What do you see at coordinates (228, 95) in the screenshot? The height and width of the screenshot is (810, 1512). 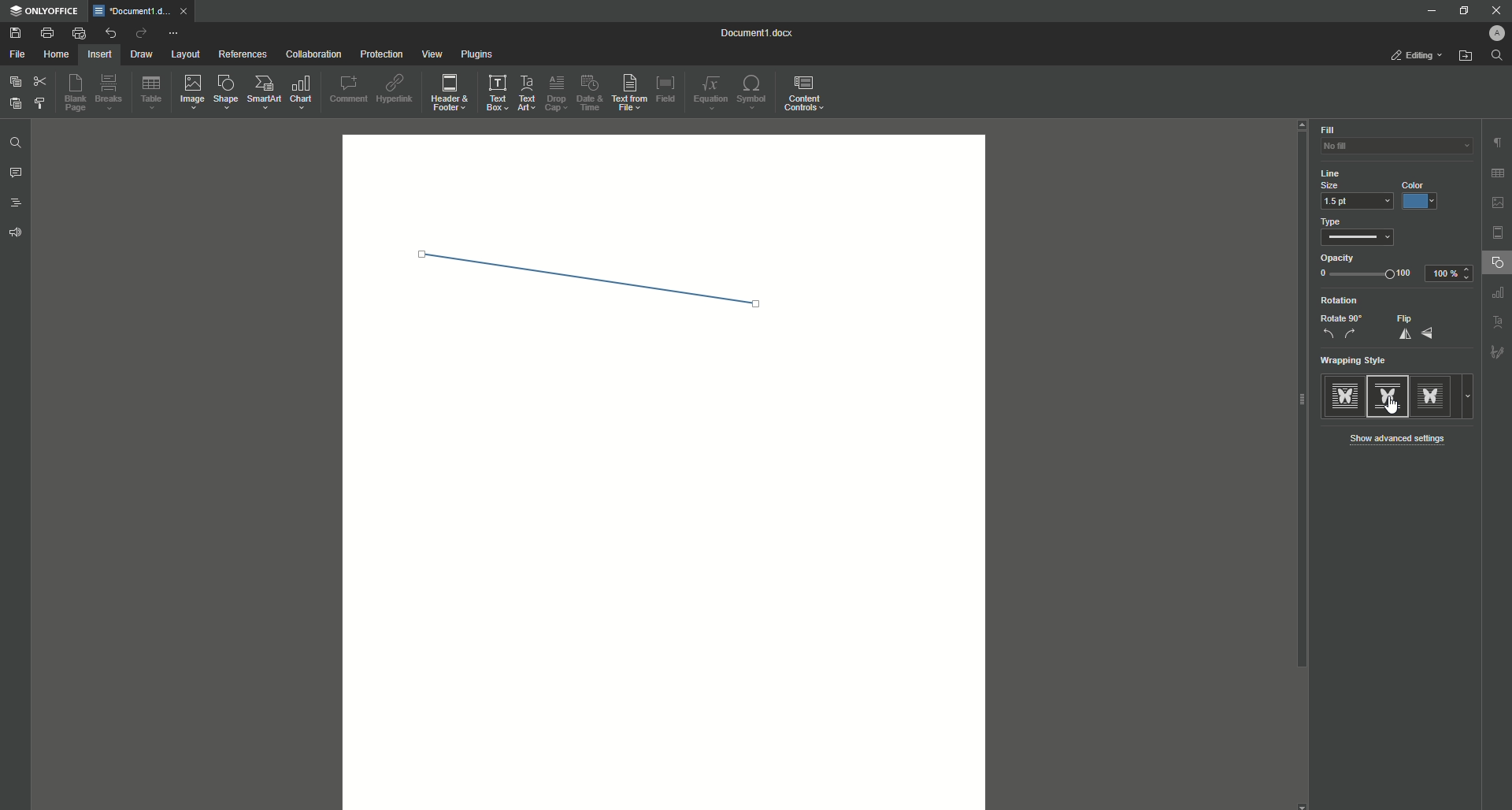 I see `Shape` at bounding box center [228, 95].